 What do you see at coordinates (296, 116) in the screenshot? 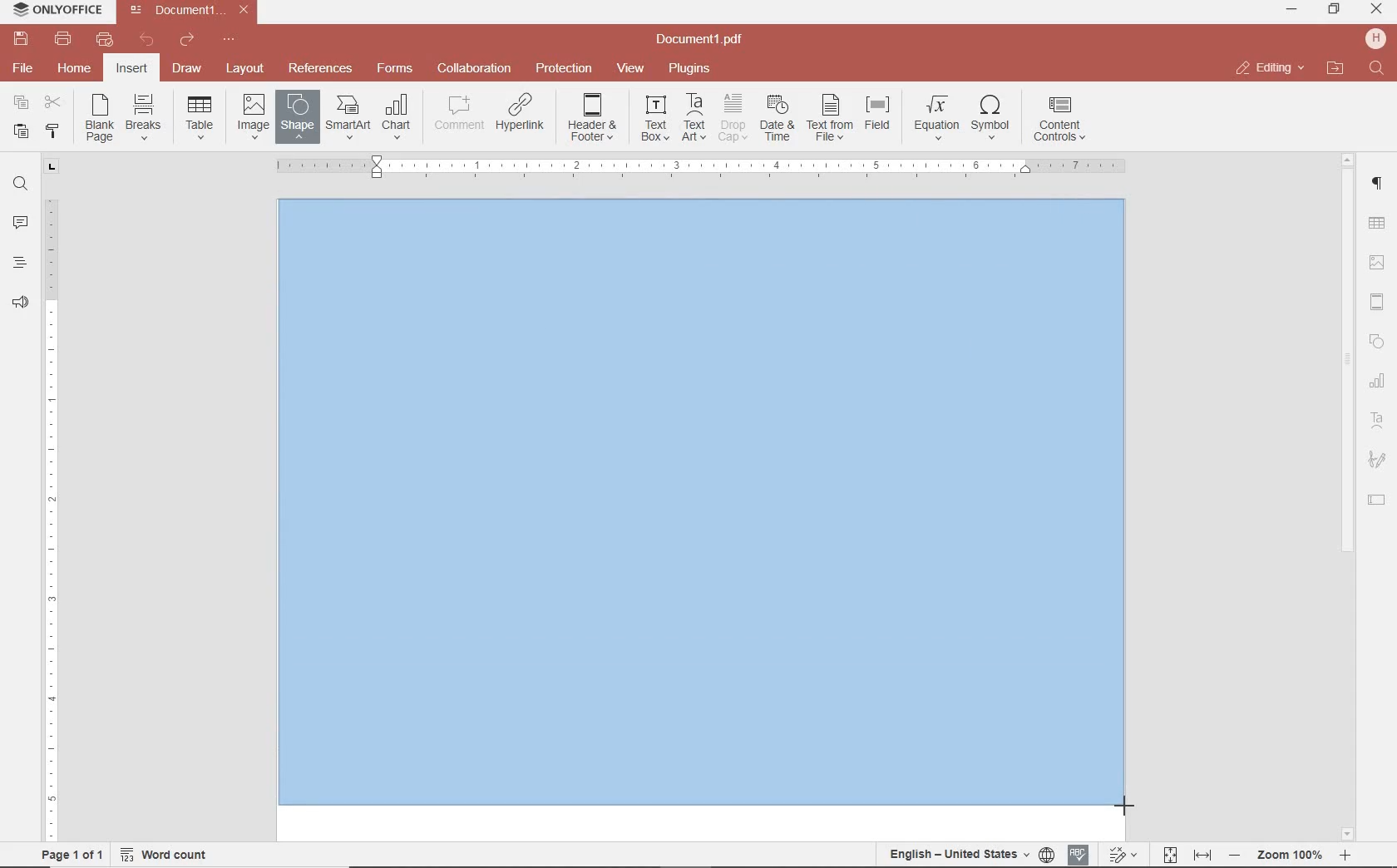
I see `INSERT SHAPE` at bounding box center [296, 116].